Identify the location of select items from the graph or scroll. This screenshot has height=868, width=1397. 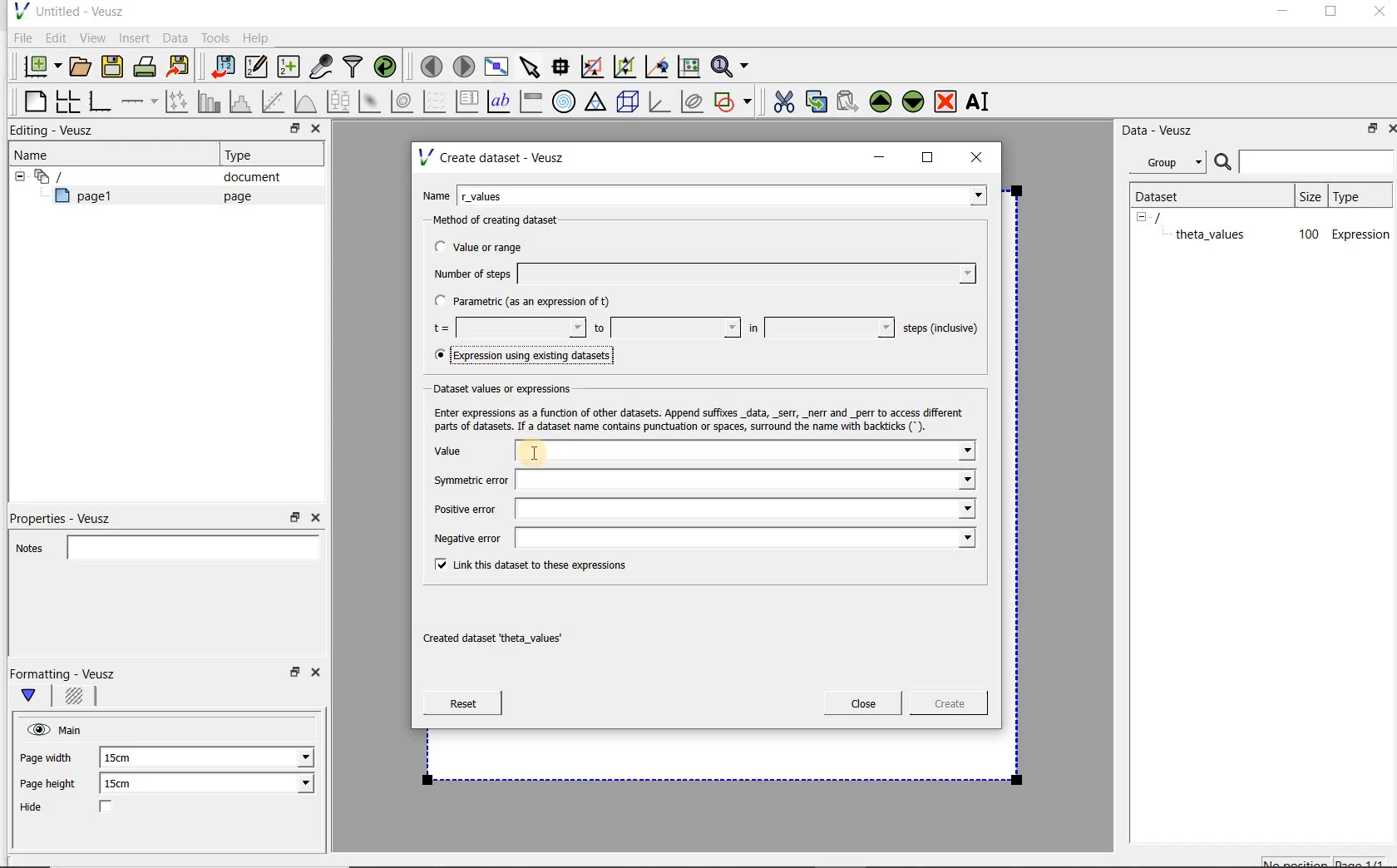
(529, 65).